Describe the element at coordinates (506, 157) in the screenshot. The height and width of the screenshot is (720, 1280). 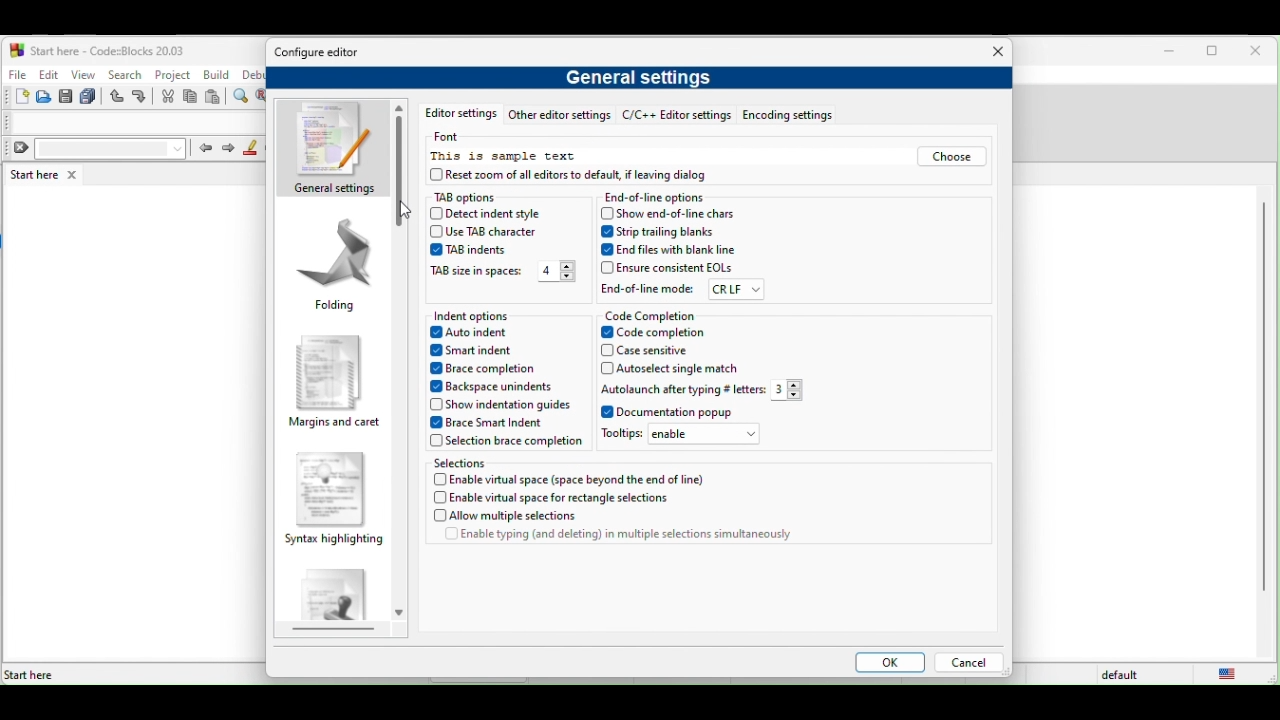
I see `this is sample text` at that location.